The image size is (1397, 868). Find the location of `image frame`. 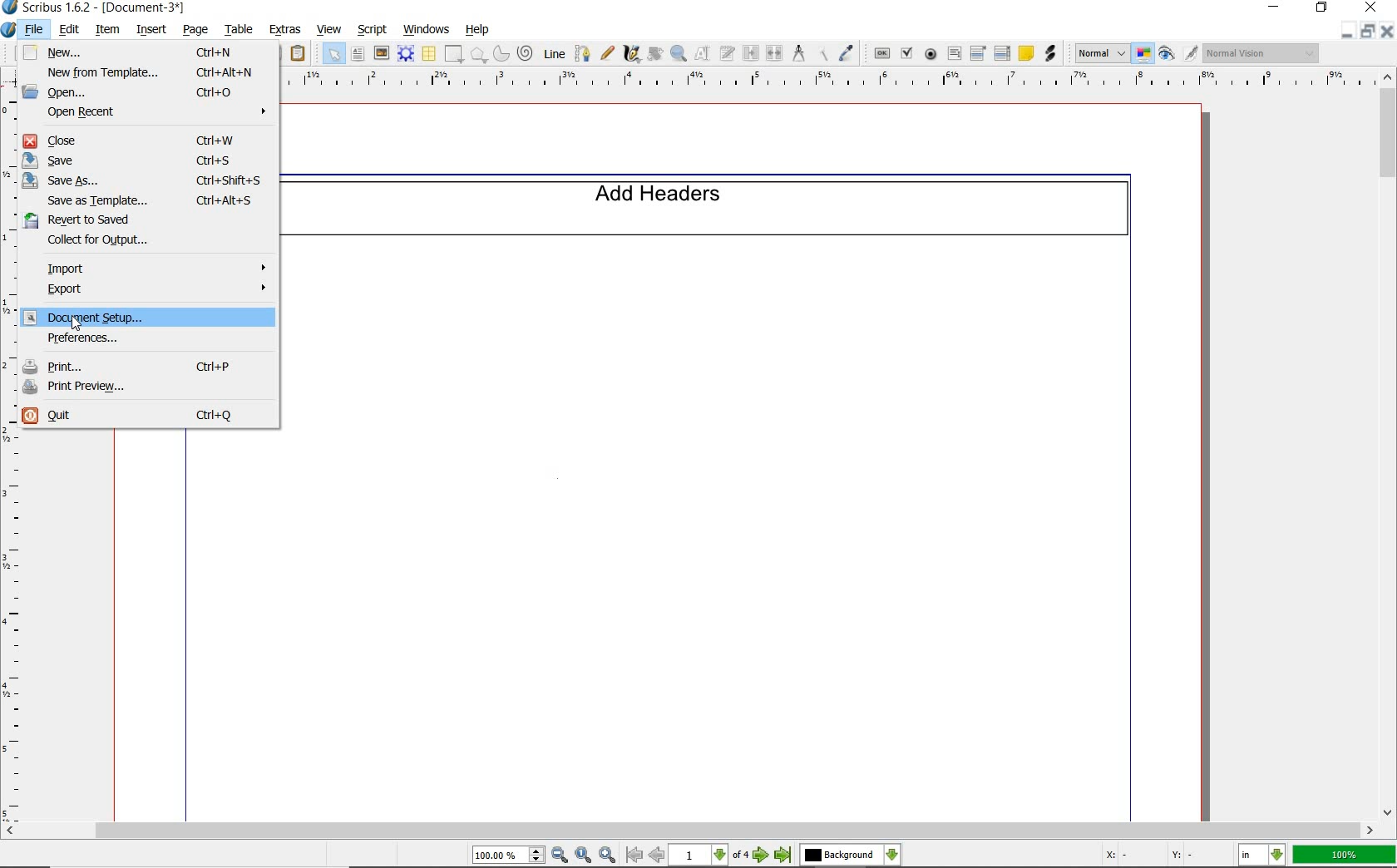

image frame is located at coordinates (382, 54).